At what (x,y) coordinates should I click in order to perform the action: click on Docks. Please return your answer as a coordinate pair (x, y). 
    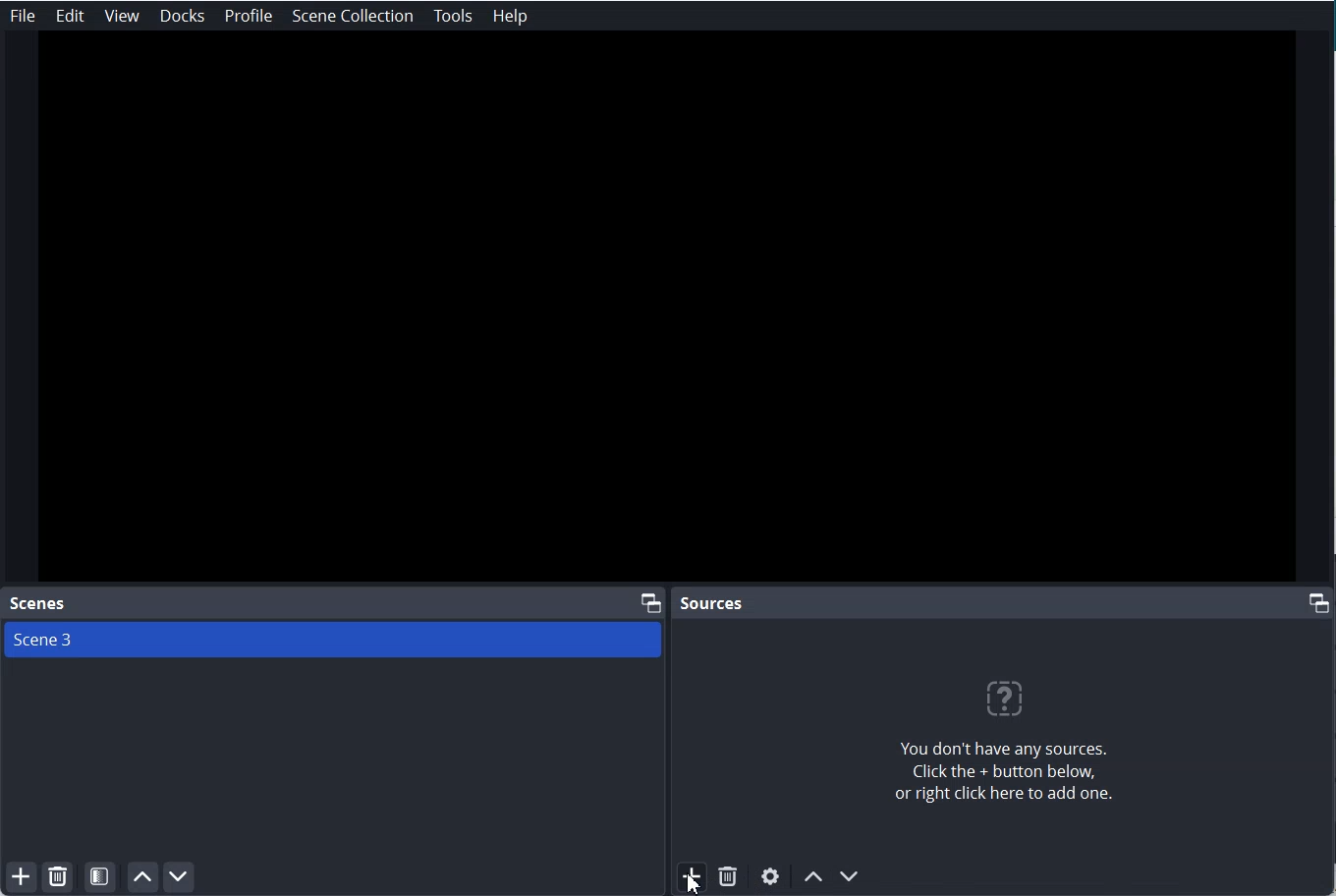
    Looking at the image, I should click on (183, 16).